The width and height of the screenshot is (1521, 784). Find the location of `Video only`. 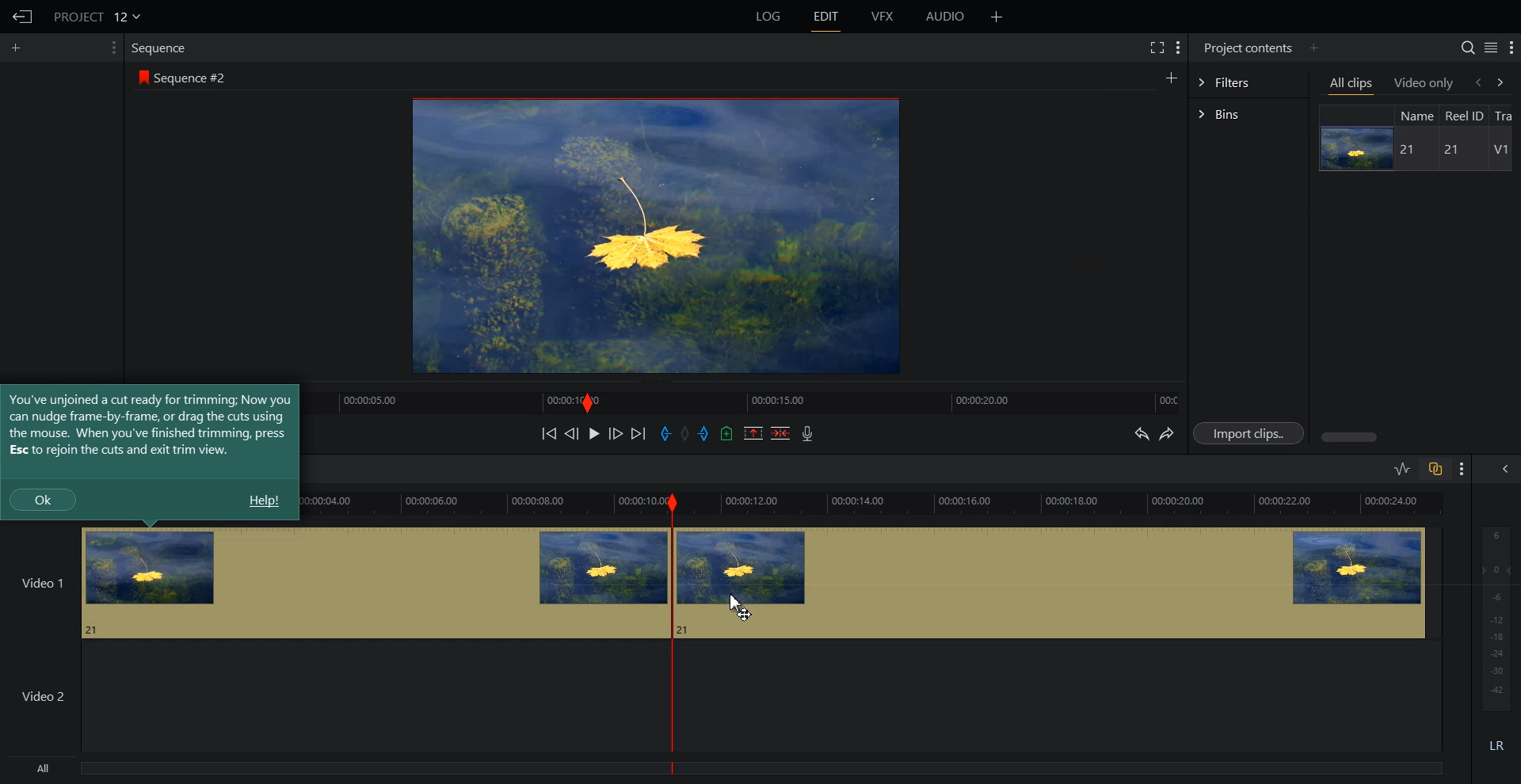

Video only is located at coordinates (1424, 83).